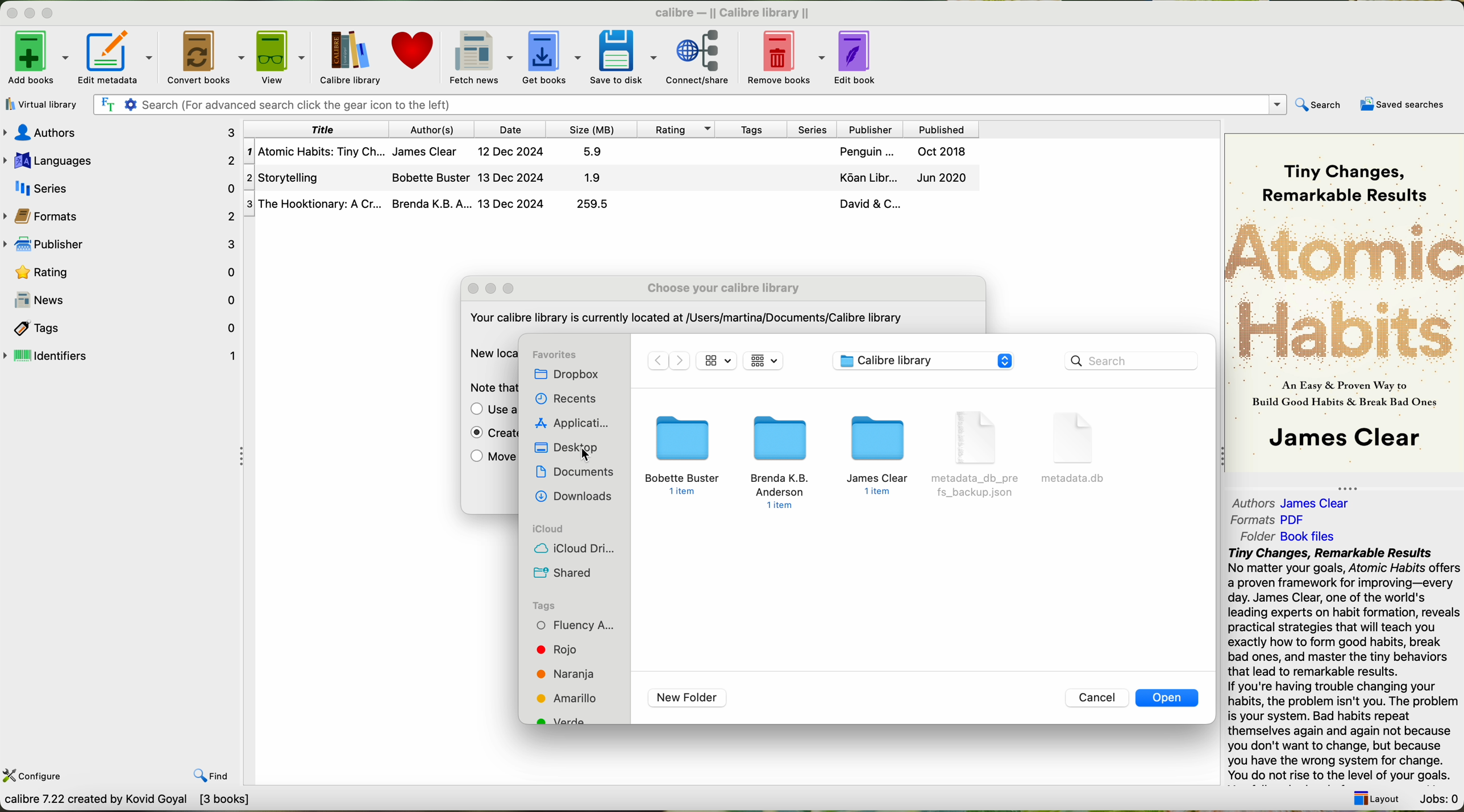 This screenshot has height=812, width=1464. What do you see at coordinates (207, 57) in the screenshot?
I see `convert books` at bounding box center [207, 57].